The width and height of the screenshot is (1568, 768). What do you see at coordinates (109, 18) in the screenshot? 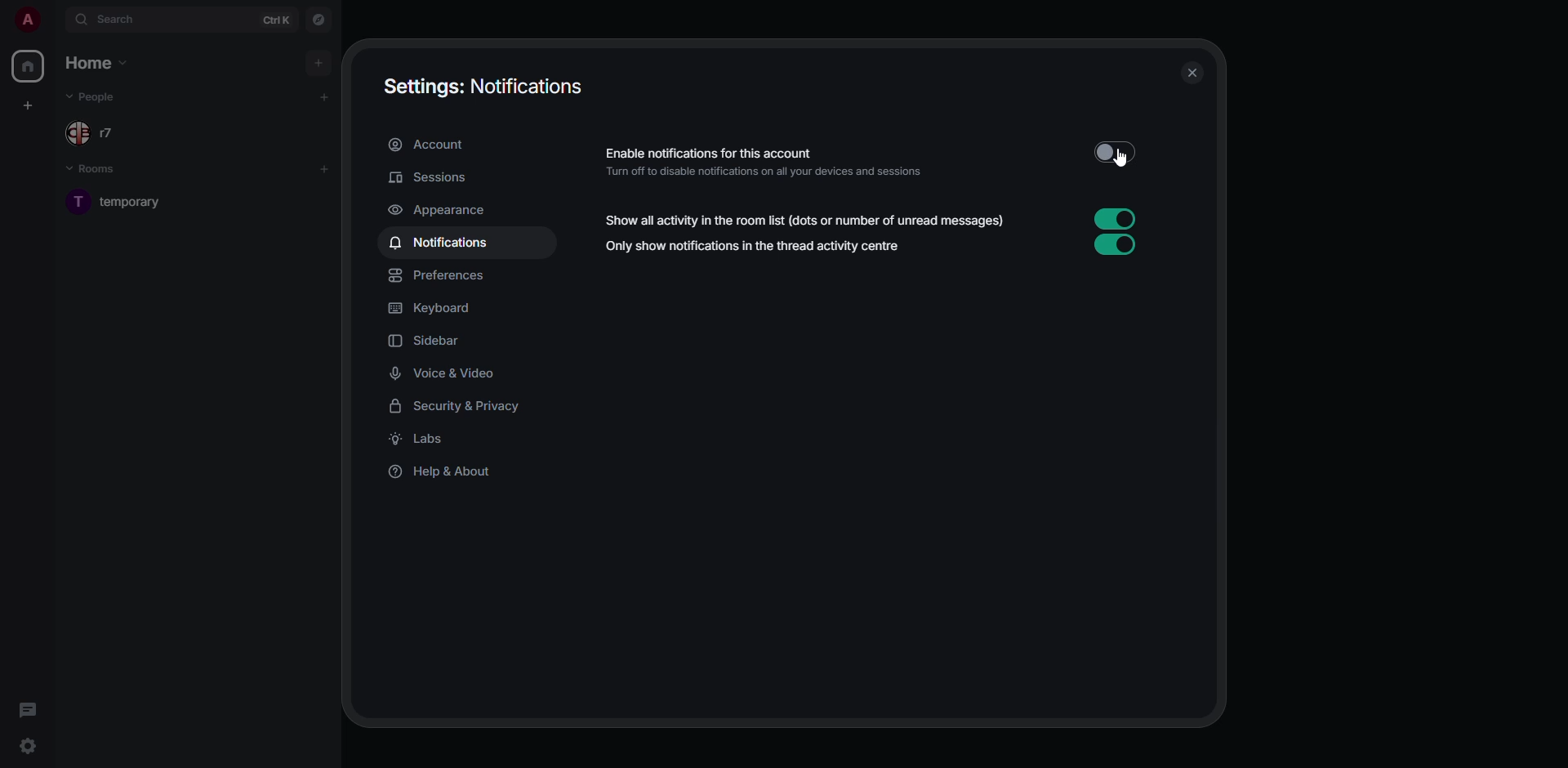
I see `search` at bounding box center [109, 18].